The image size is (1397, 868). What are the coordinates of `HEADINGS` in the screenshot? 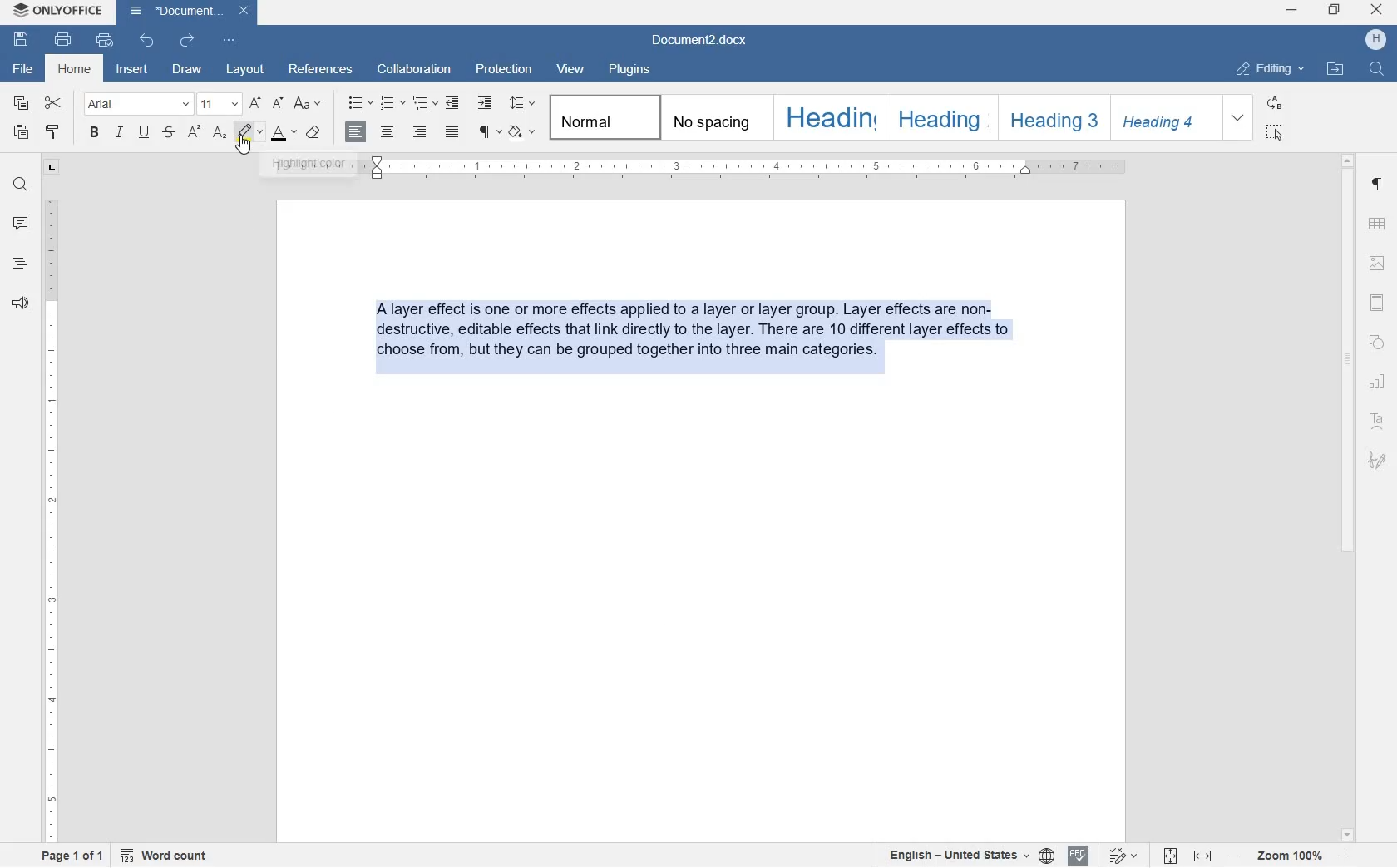 It's located at (17, 264).